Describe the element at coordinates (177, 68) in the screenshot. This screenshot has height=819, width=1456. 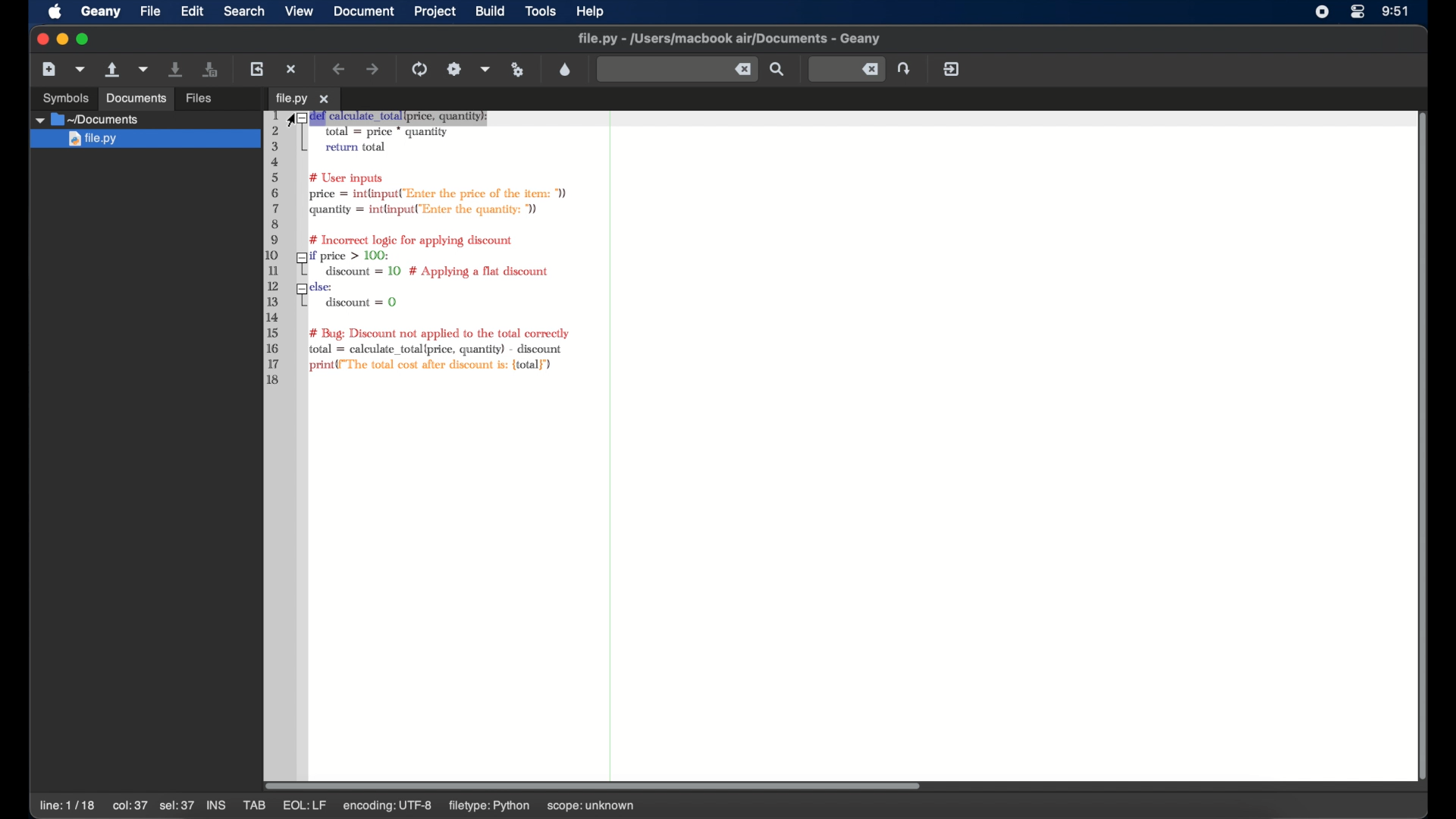
I see `save the current file` at that location.